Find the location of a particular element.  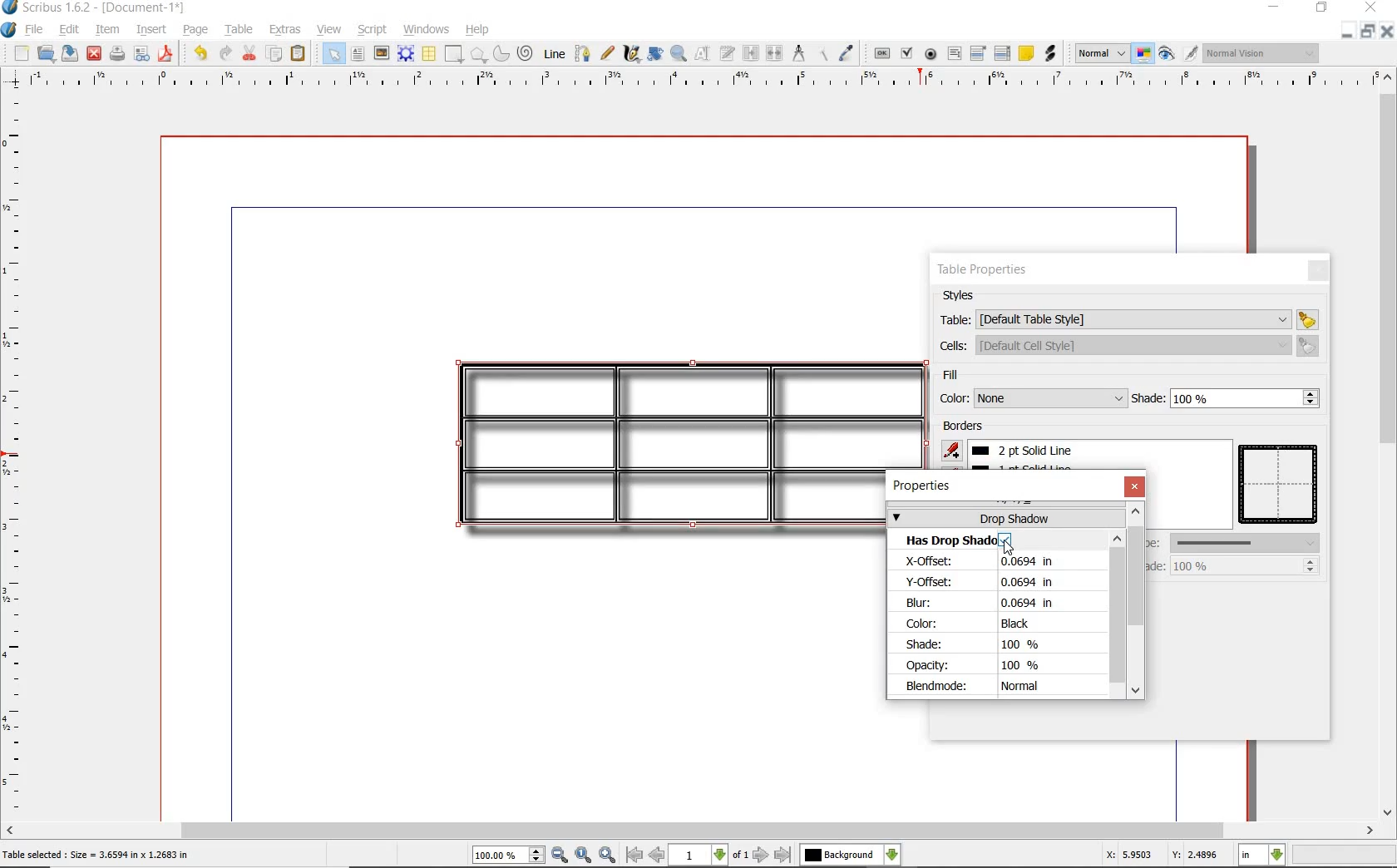

properties is located at coordinates (926, 486).